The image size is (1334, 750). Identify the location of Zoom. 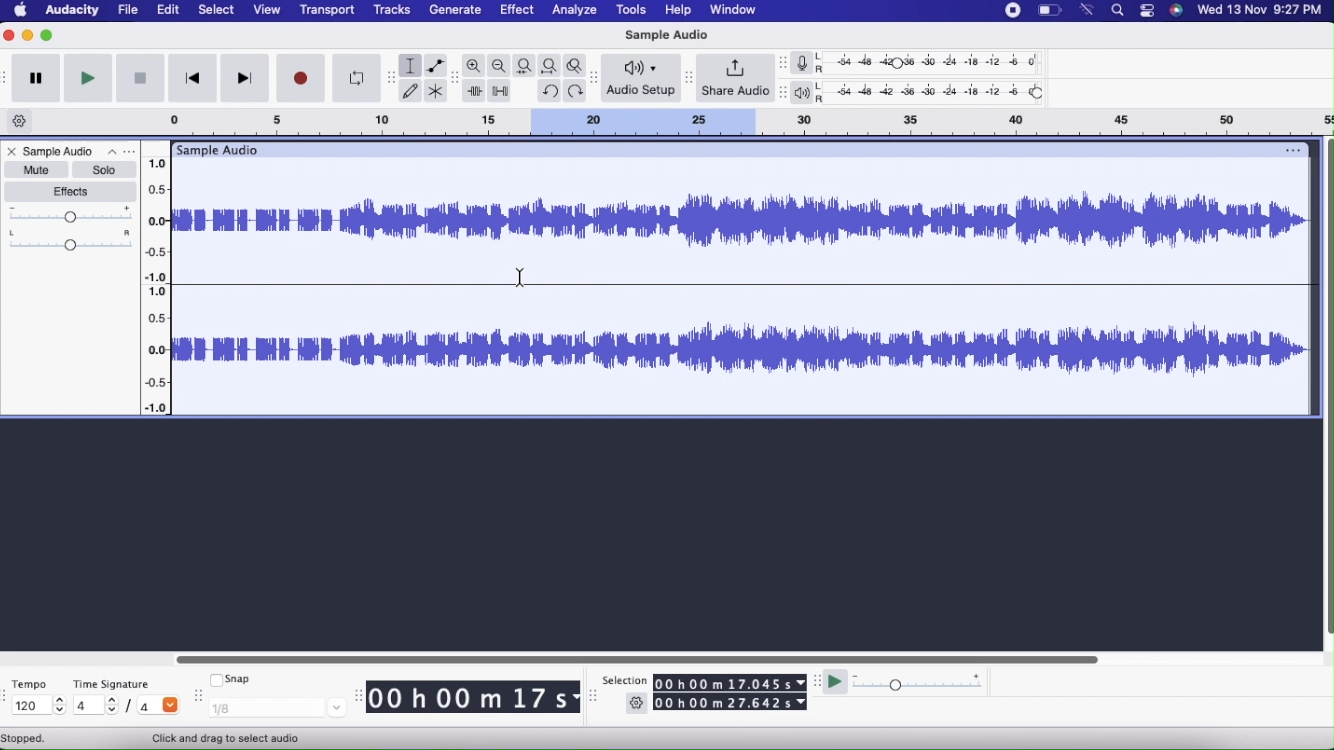
(475, 66).